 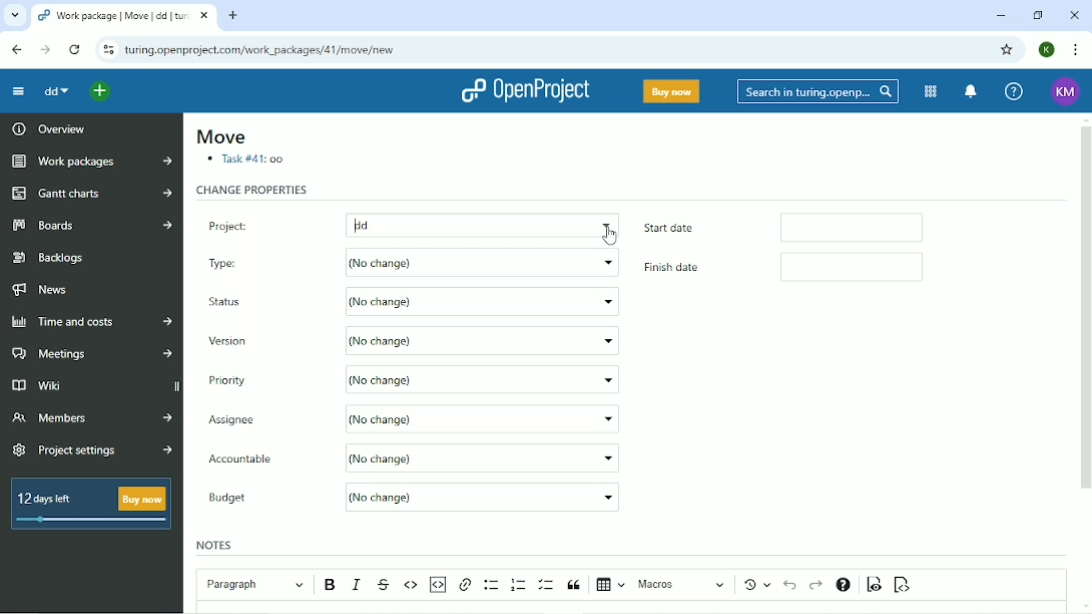 I want to click on Assignee, so click(x=265, y=419).